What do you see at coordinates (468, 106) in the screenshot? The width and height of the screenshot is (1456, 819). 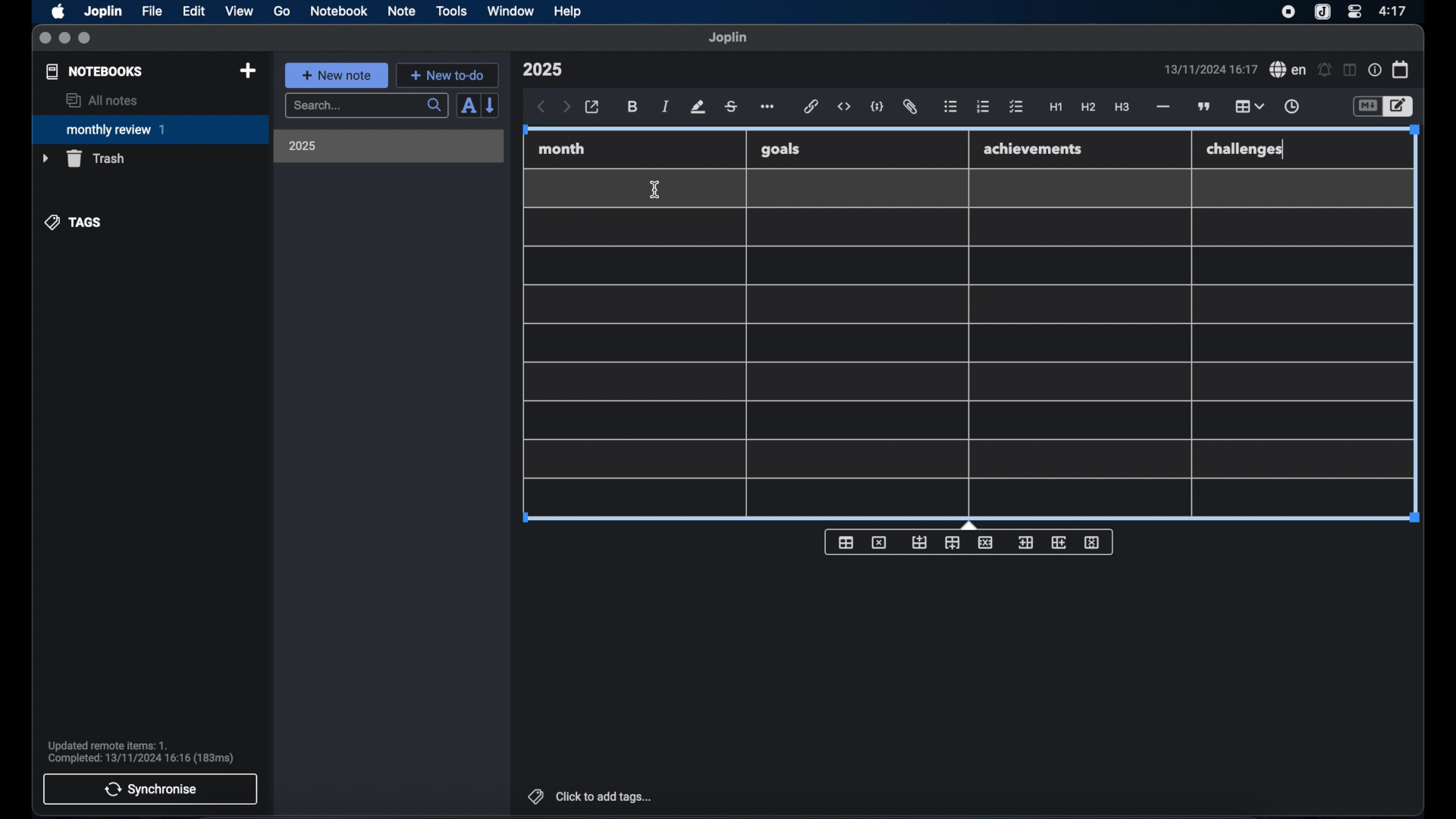 I see `sort order field` at bounding box center [468, 106].